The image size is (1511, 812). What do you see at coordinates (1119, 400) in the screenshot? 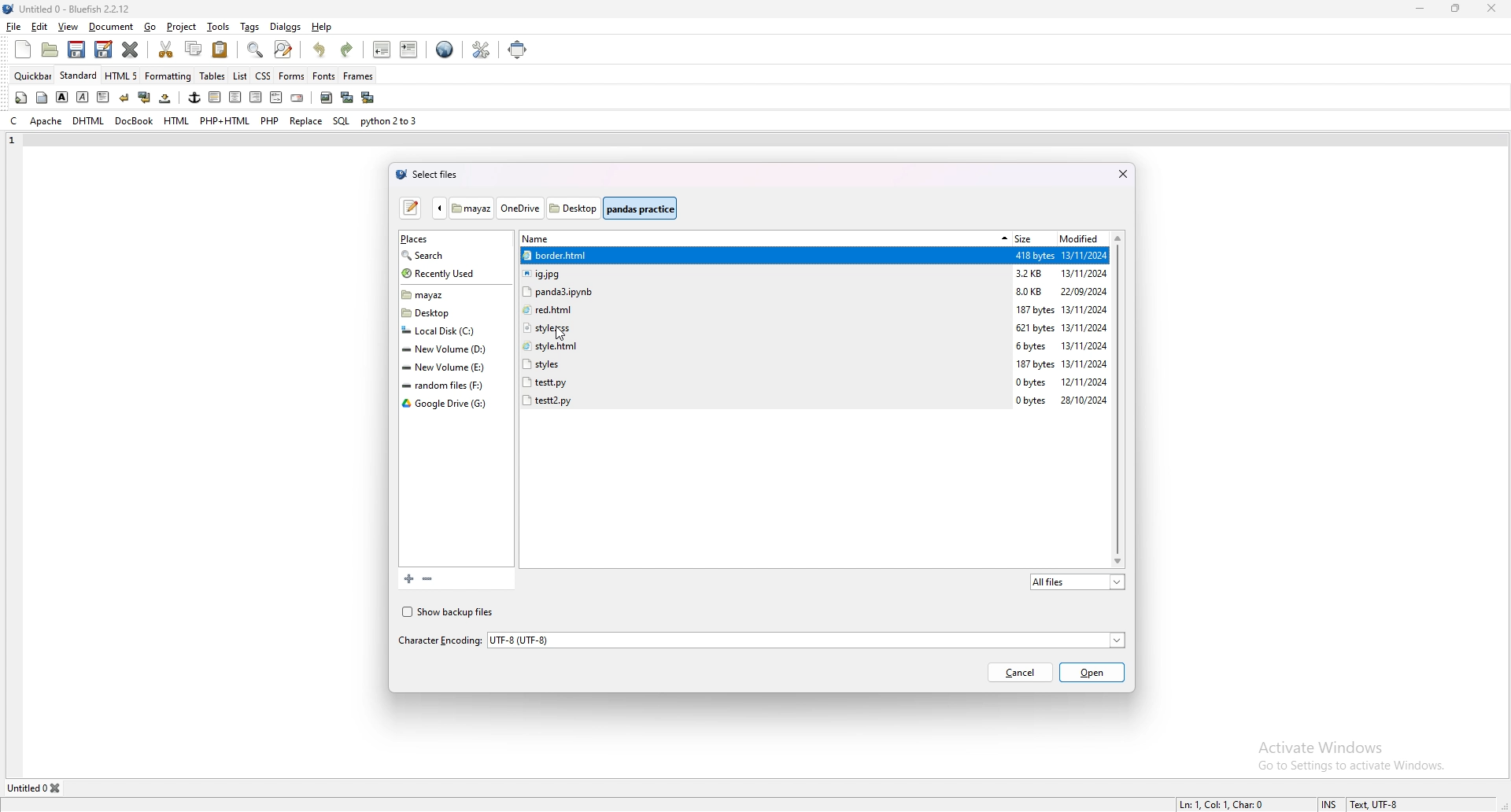
I see `scroll bar` at bounding box center [1119, 400].